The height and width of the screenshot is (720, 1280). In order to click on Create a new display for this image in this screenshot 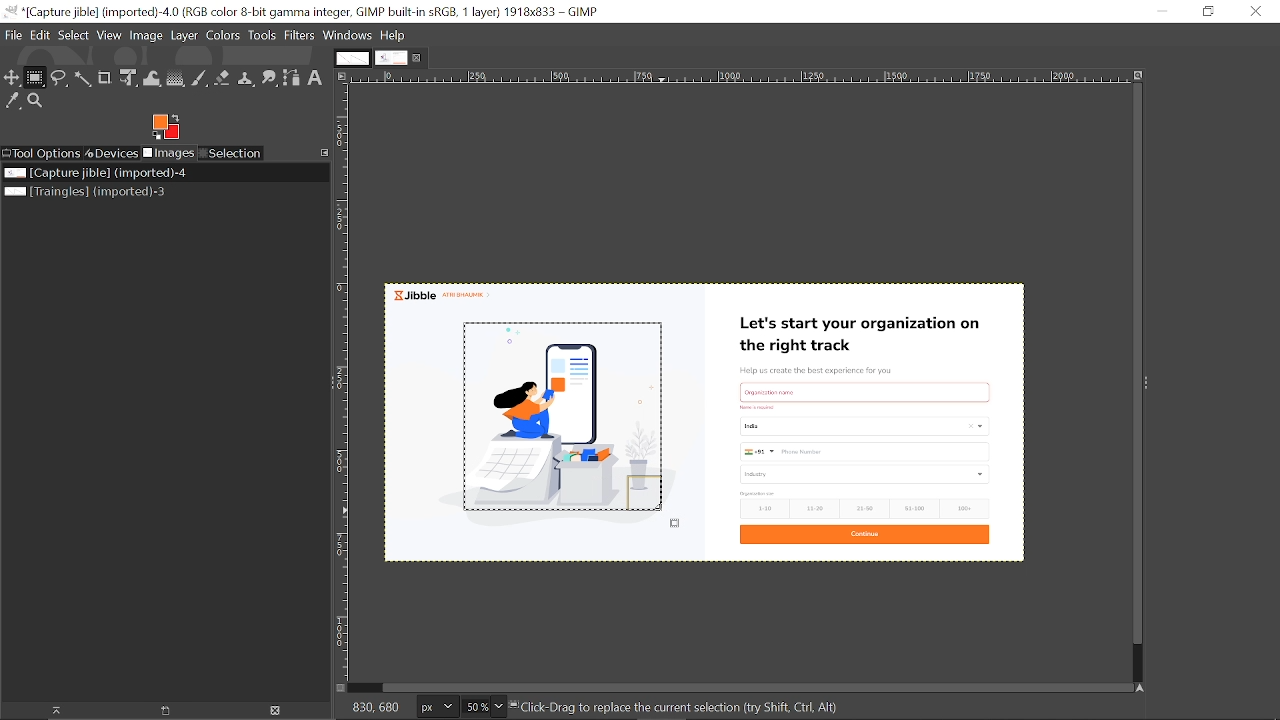, I will do `click(172, 710)`.